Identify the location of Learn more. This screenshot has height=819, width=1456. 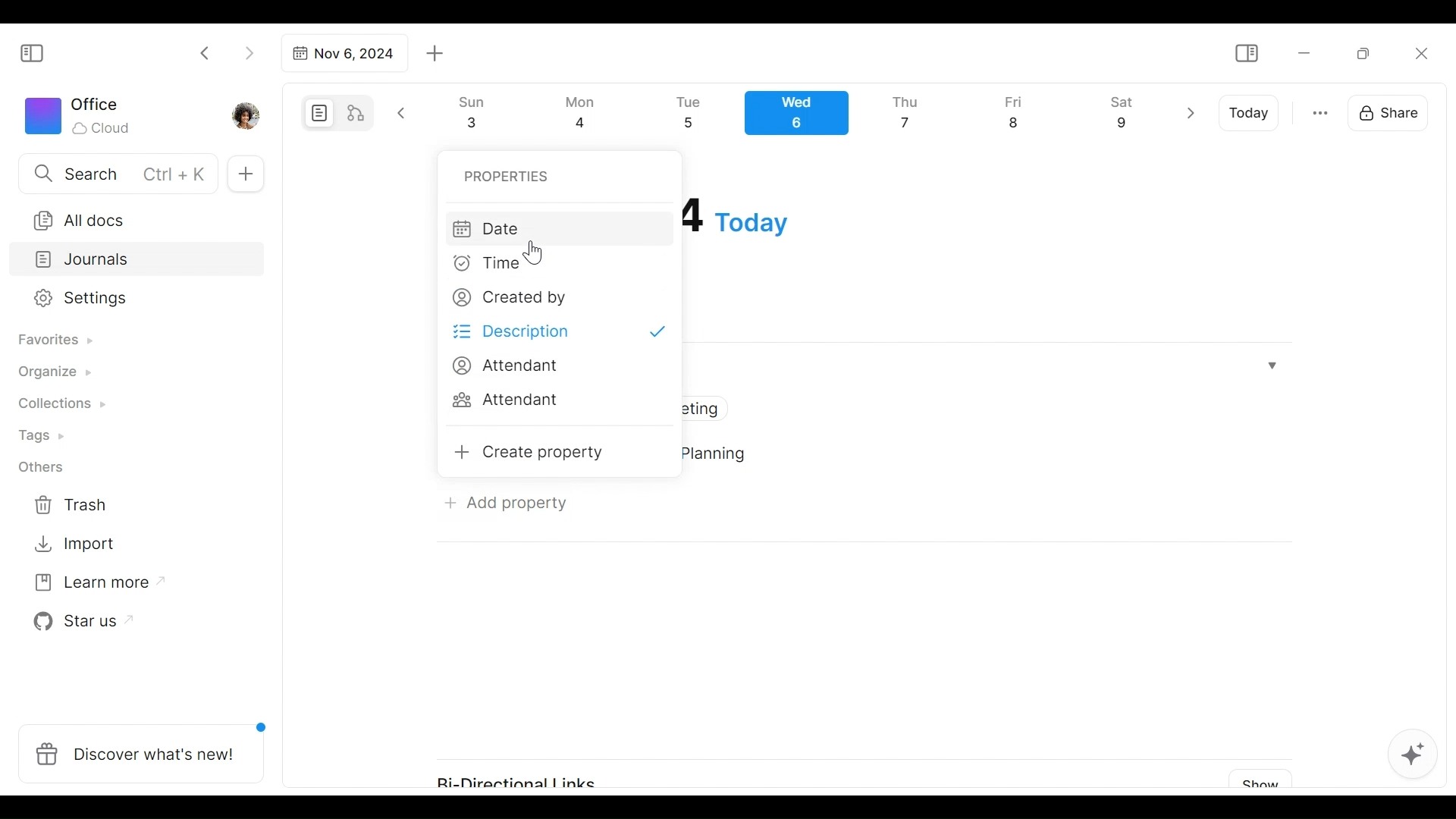
(92, 585).